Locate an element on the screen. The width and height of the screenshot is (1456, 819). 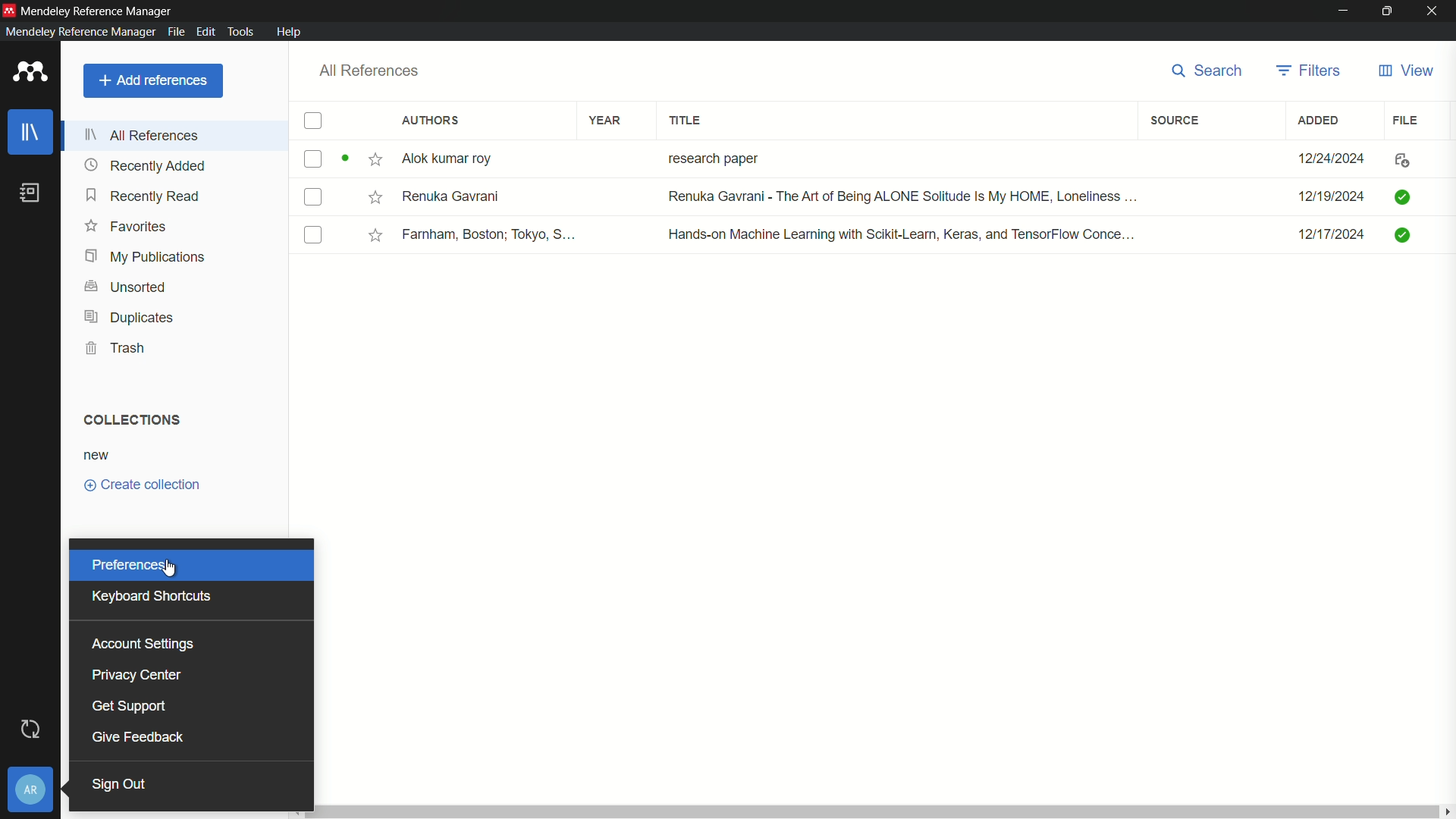
collections is located at coordinates (128, 420).